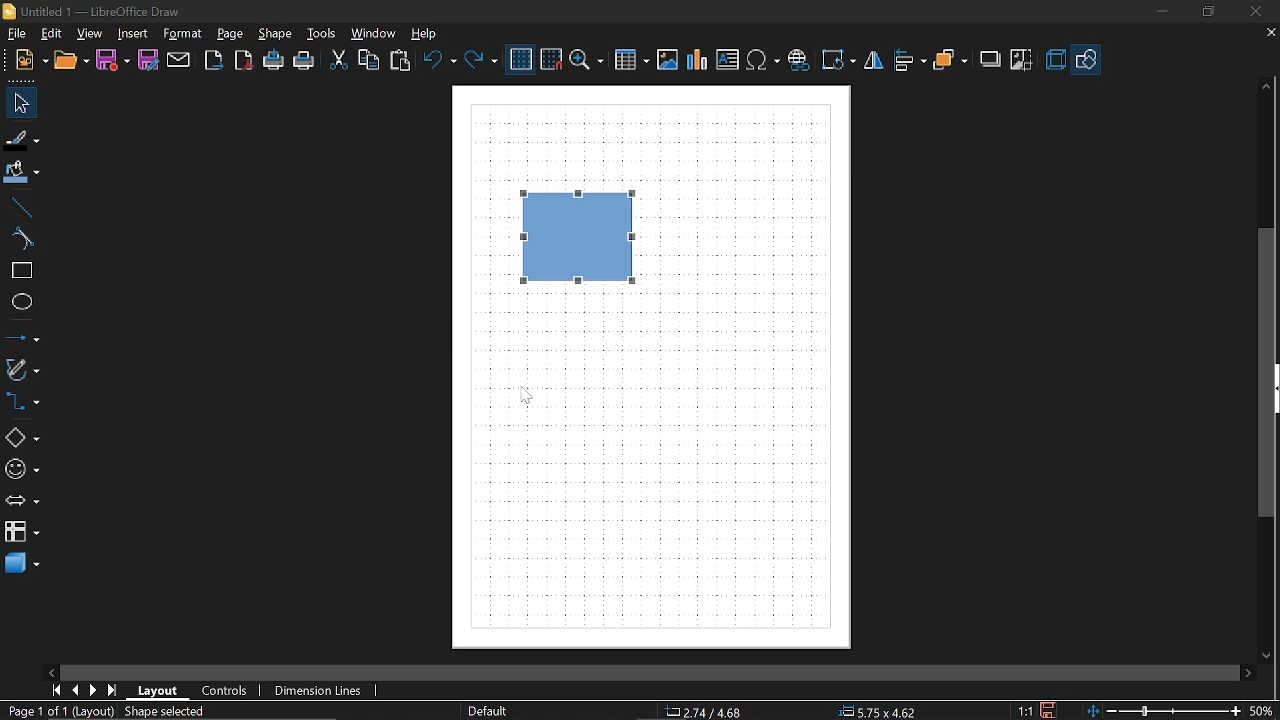 Image resolution: width=1280 pixels, height=720 pixels. Describe the element at coordinates (75, 691) in the screenshot. I see `previous page` at that location.